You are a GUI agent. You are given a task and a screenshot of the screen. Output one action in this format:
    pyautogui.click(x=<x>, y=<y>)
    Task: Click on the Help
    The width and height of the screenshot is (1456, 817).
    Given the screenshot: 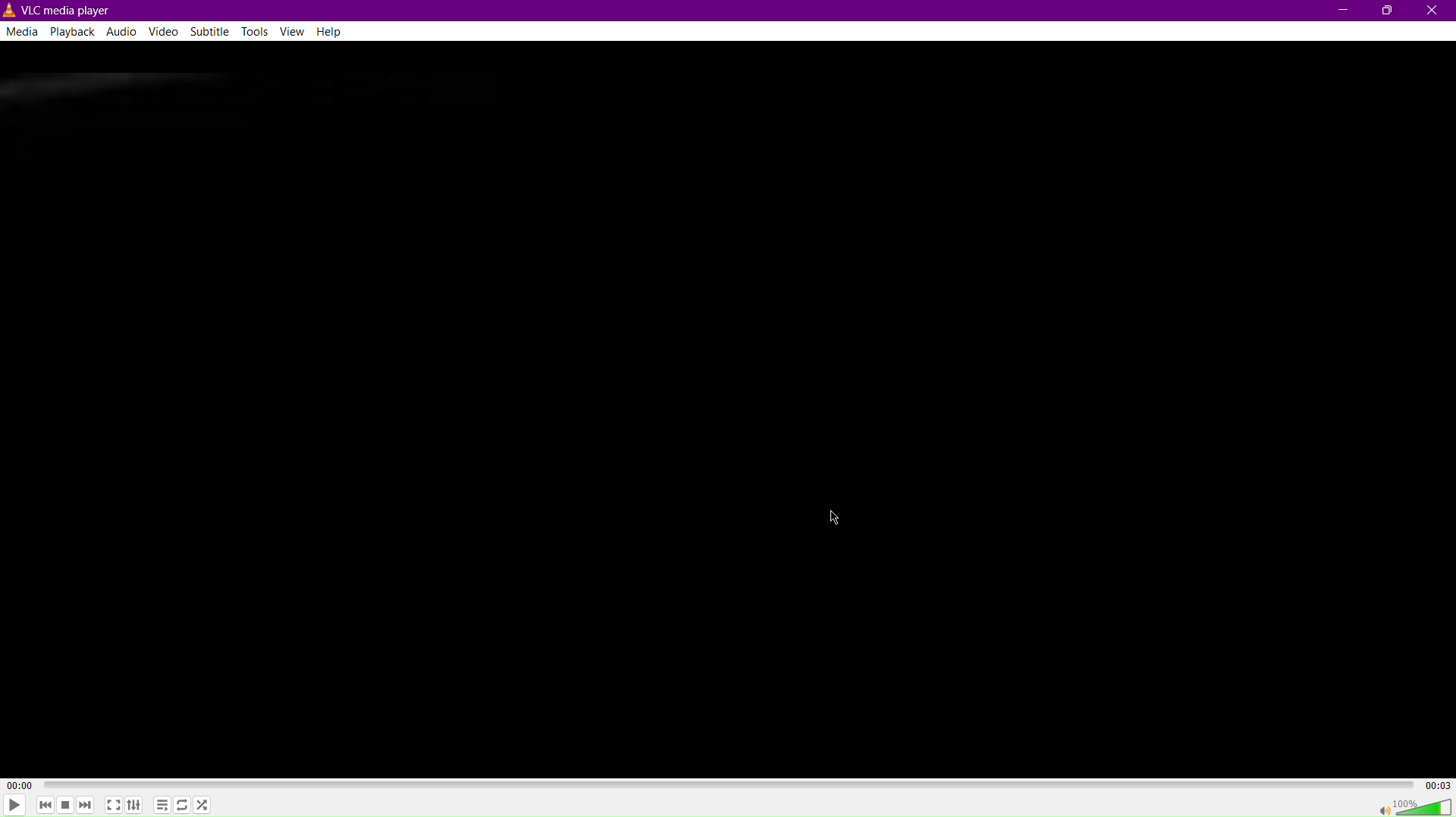 What is the action you would take?
    pyautogui.click(x=334, y=32)
    